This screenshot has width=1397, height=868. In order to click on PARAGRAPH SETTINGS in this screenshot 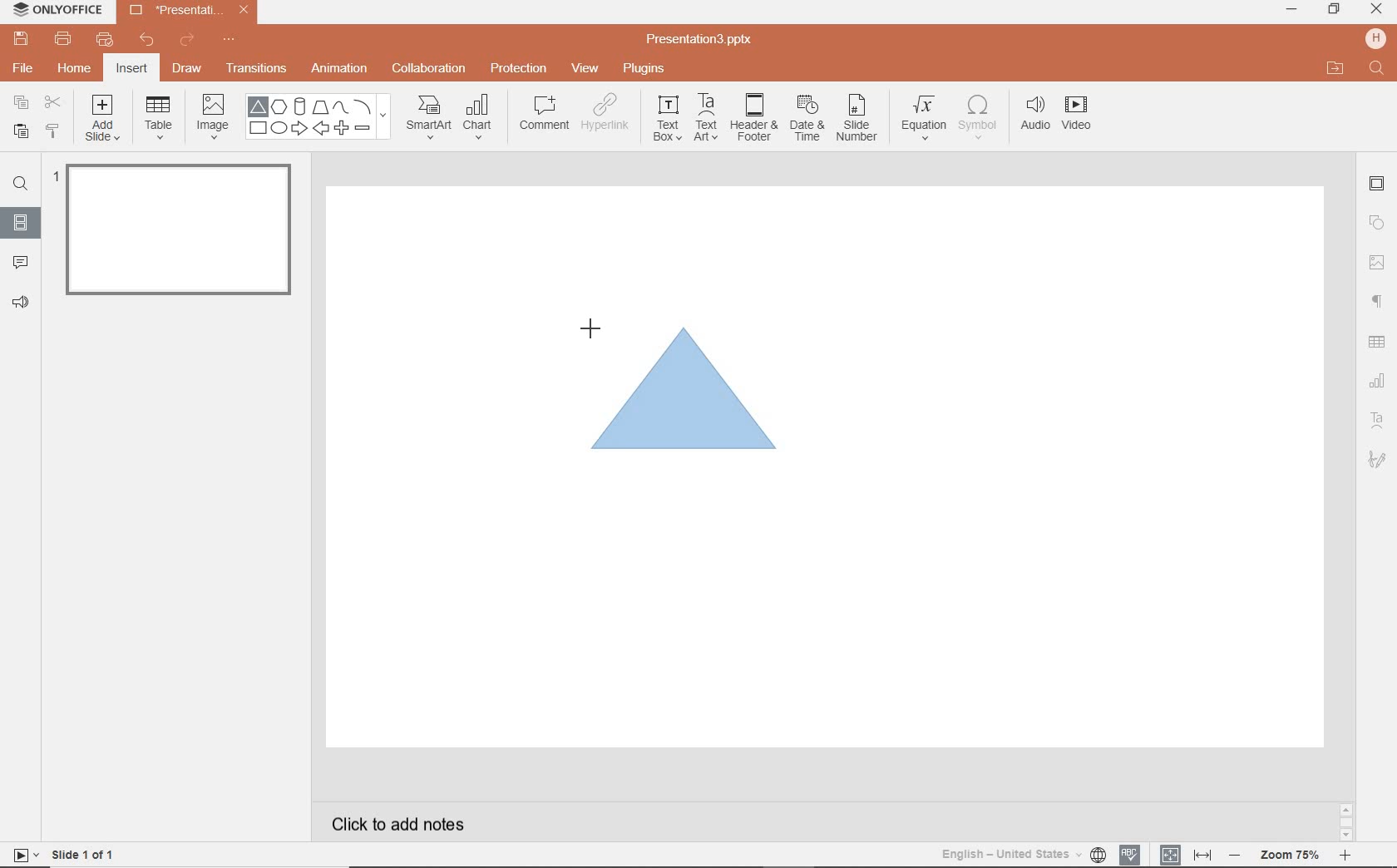, I will do `click(1378, 302)`.